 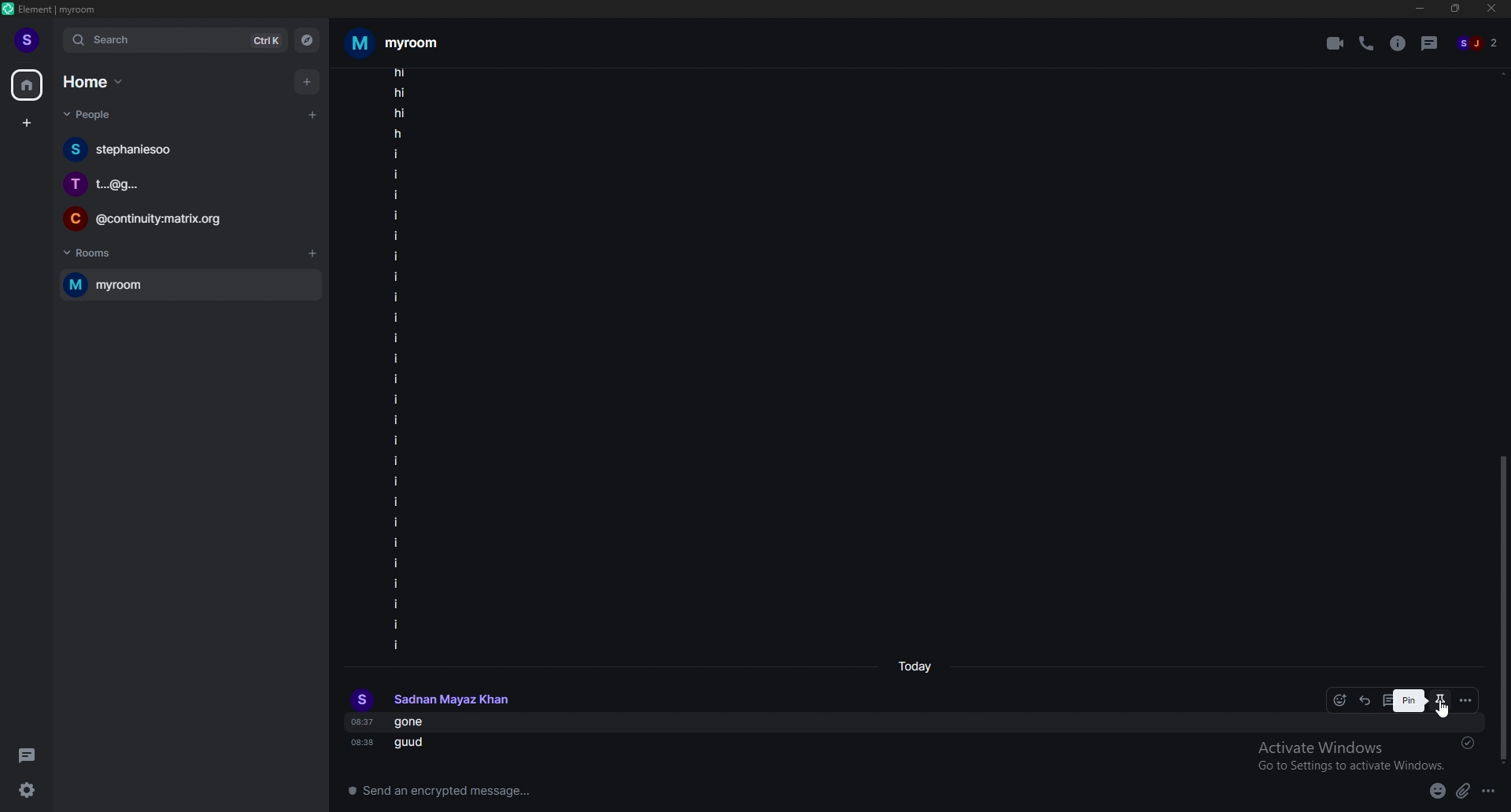 I want to click on Activate Windows, so click(x=1348, y=754).